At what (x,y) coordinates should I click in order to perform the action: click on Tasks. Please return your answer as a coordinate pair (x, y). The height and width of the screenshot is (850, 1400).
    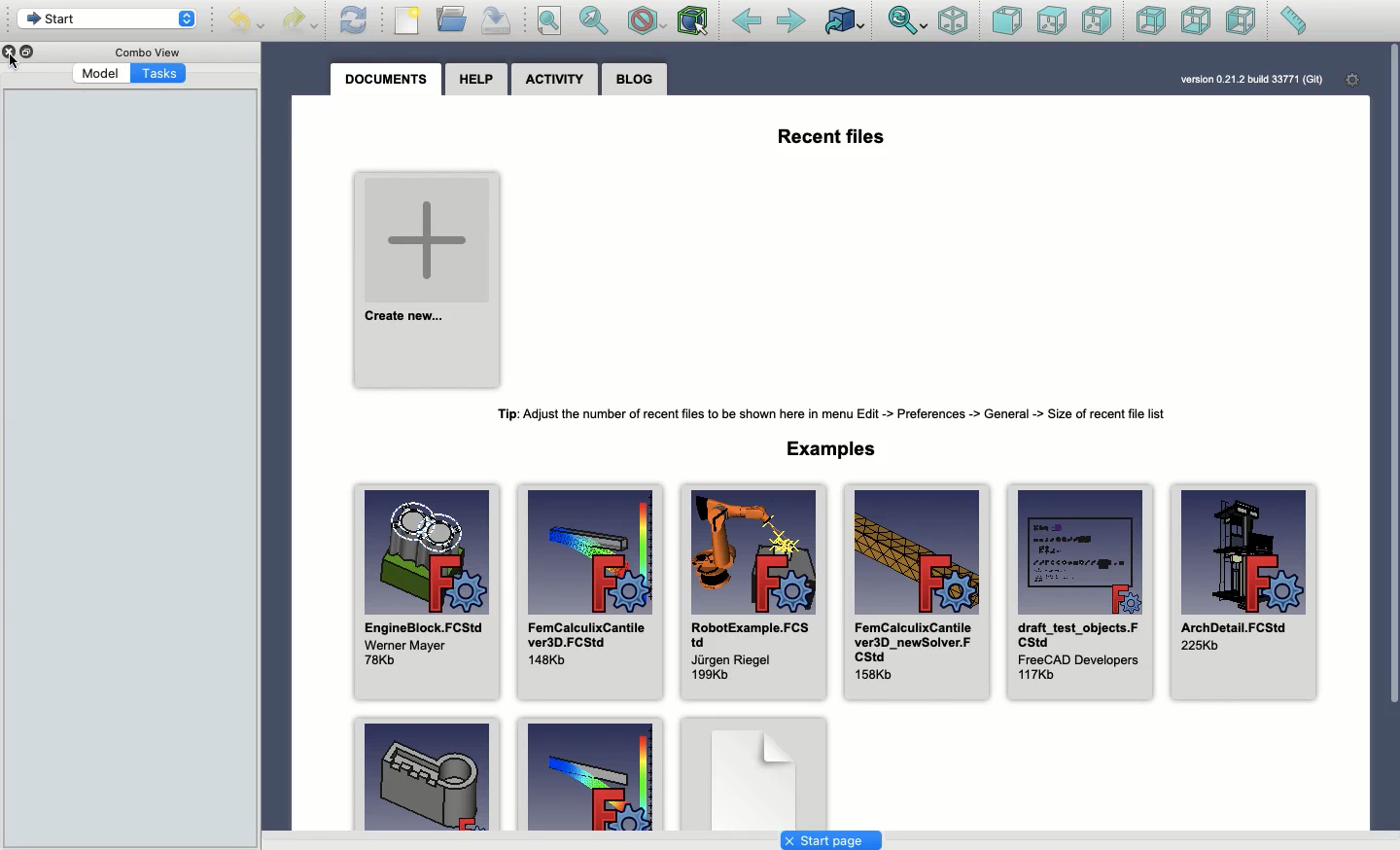
    Looking at the image, I should click on (158, 73).